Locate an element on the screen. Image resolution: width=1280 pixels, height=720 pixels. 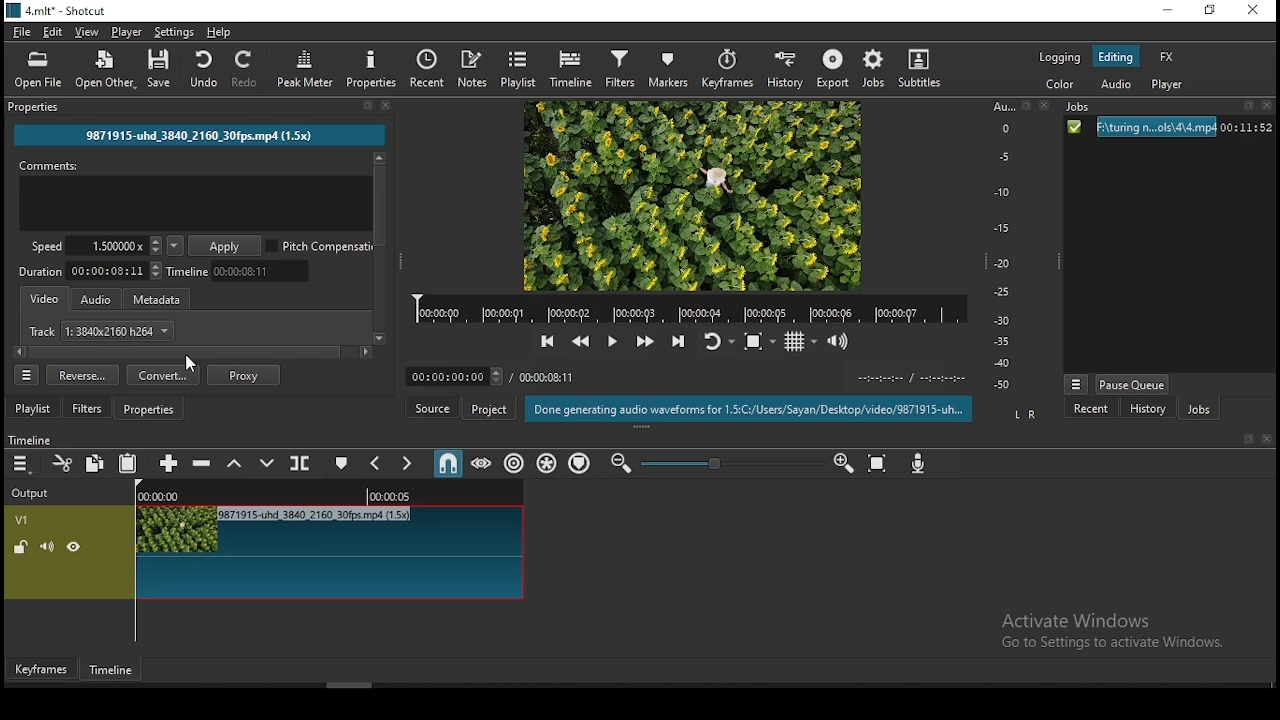
metadata is located at coordinates (159, 299).